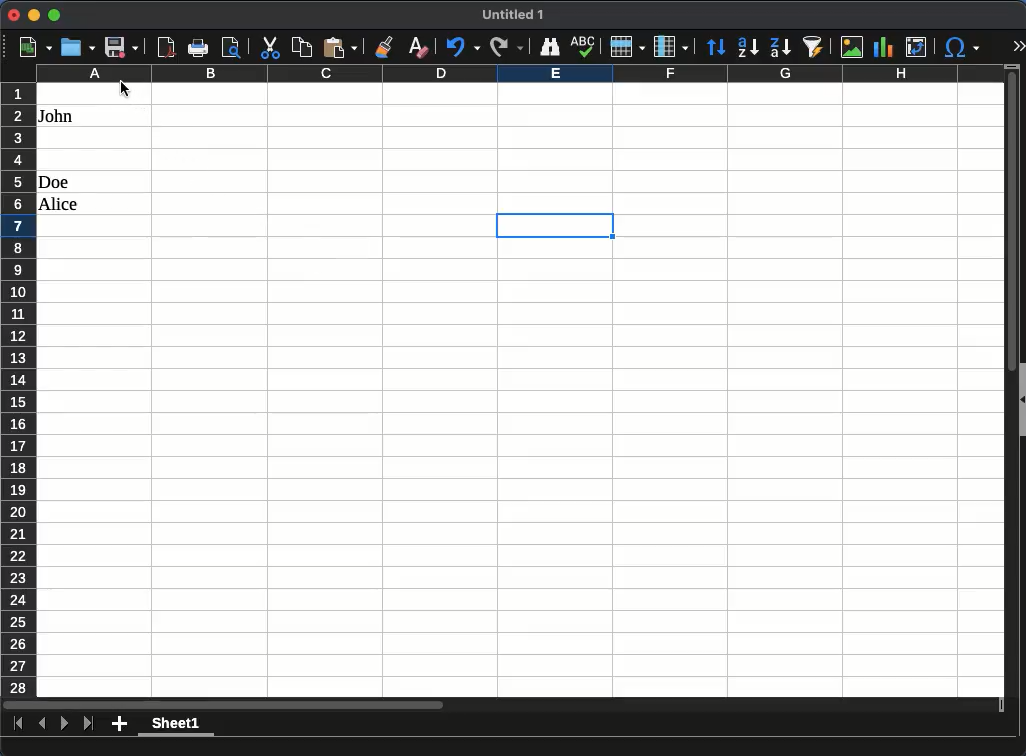 This screenshot has height=756, width=1026. I want to click on John, so click(58, 116).